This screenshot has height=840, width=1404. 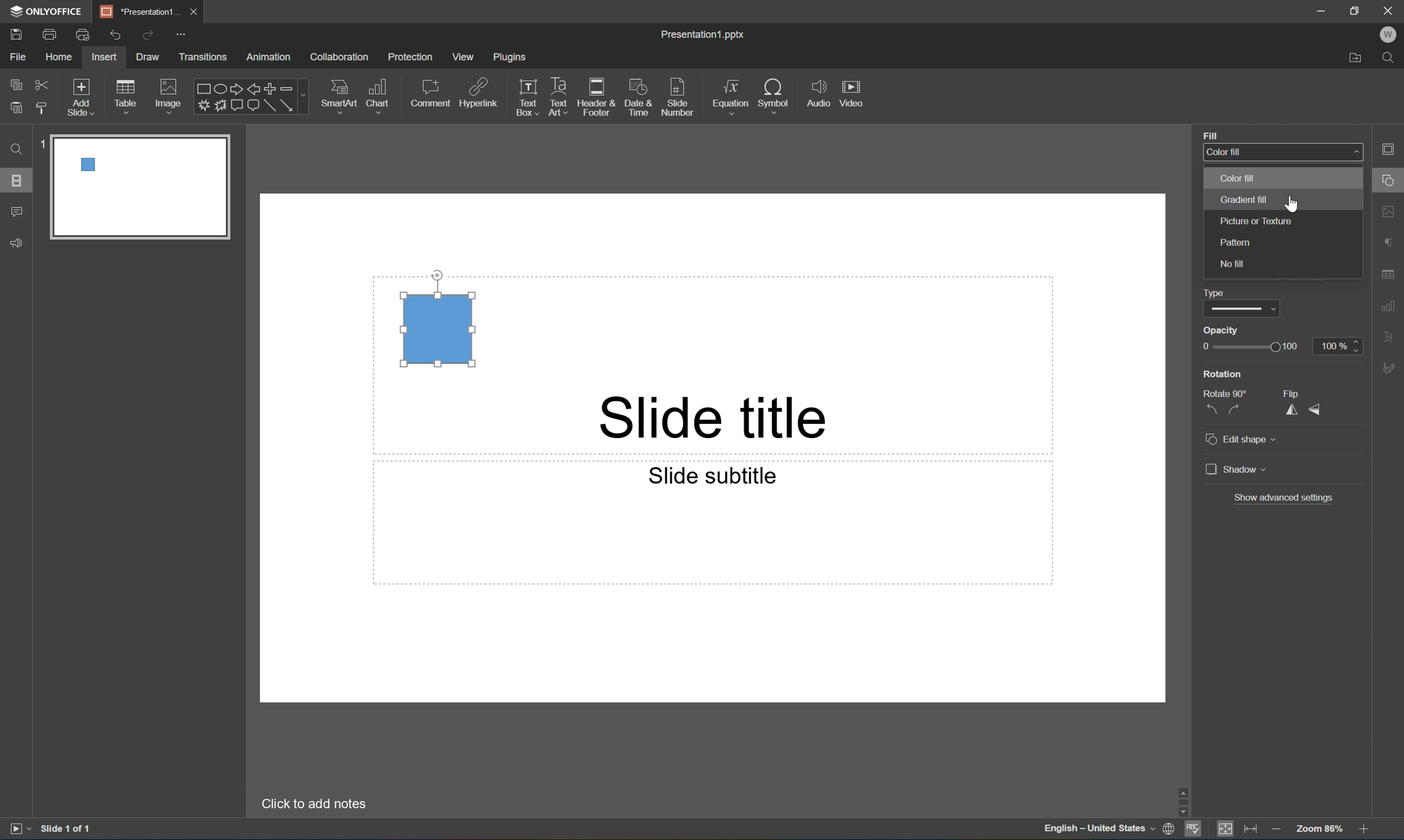 What do you see at coordinates (269, 106) in the screenshot?
I see `Rectangle` at bounding box center [269, 106].